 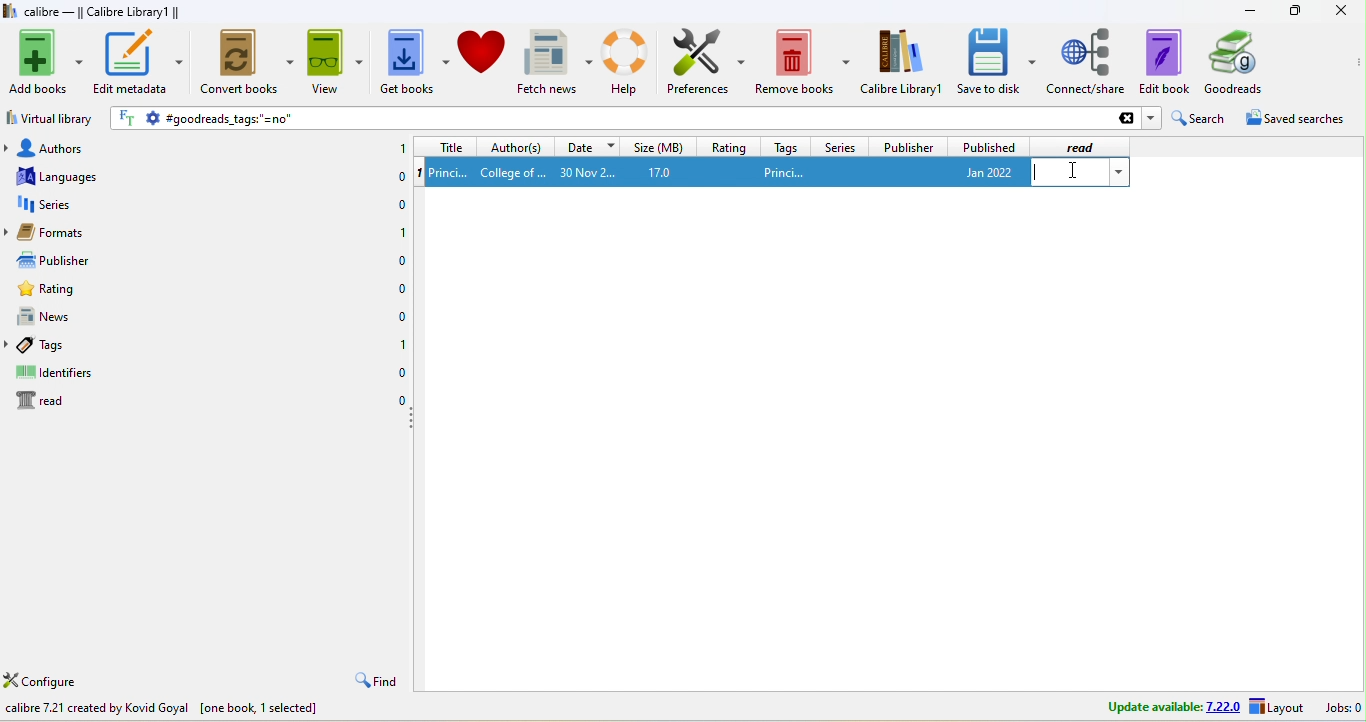 I want to click on typing cursor, so click(x=1039, y=174).